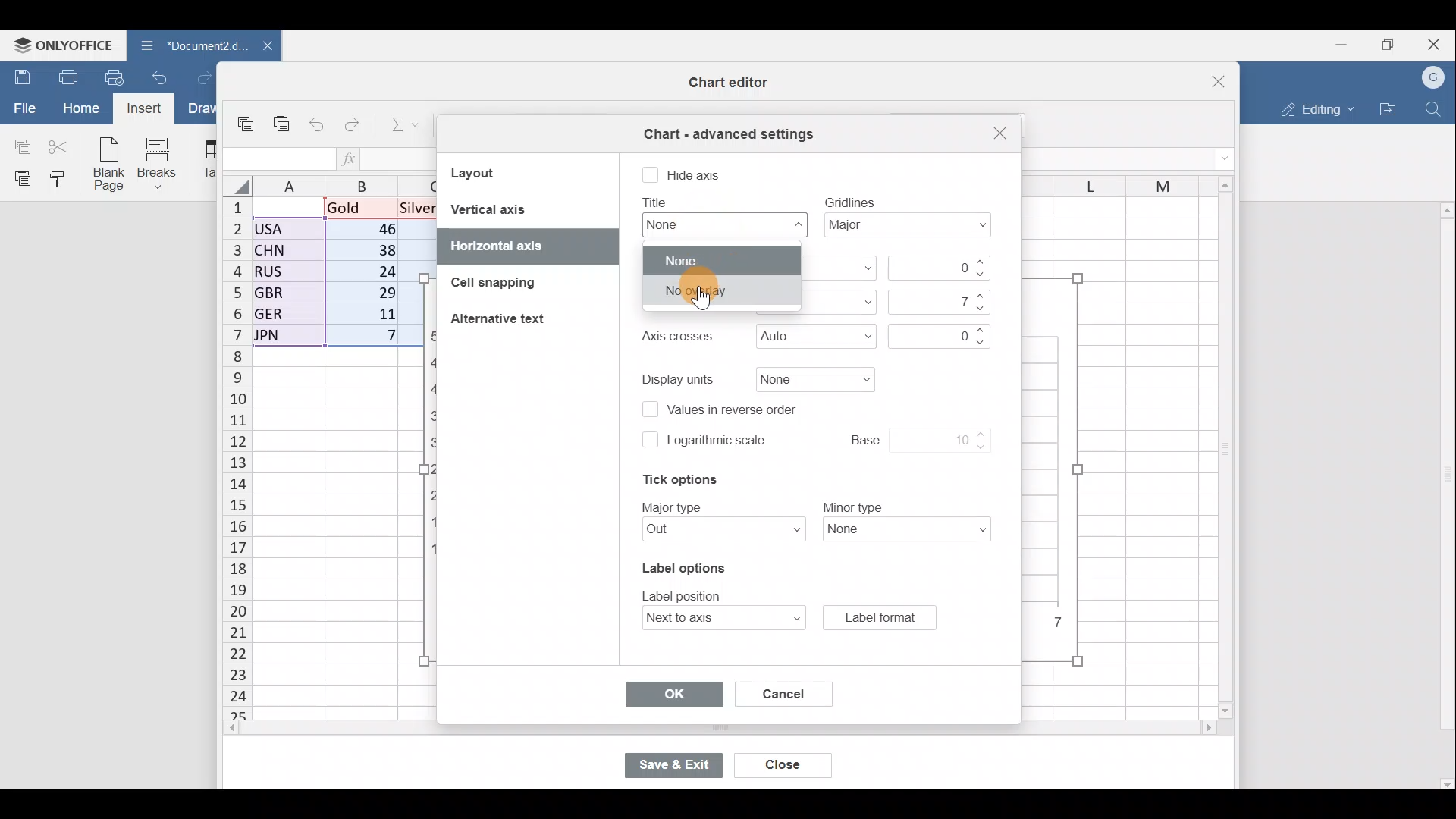 Image resolution: width=1456 pixels, height=819 pixels. Describe the element at coordinates (62, 180) in the screenshot. I see `Copy style` at that location.